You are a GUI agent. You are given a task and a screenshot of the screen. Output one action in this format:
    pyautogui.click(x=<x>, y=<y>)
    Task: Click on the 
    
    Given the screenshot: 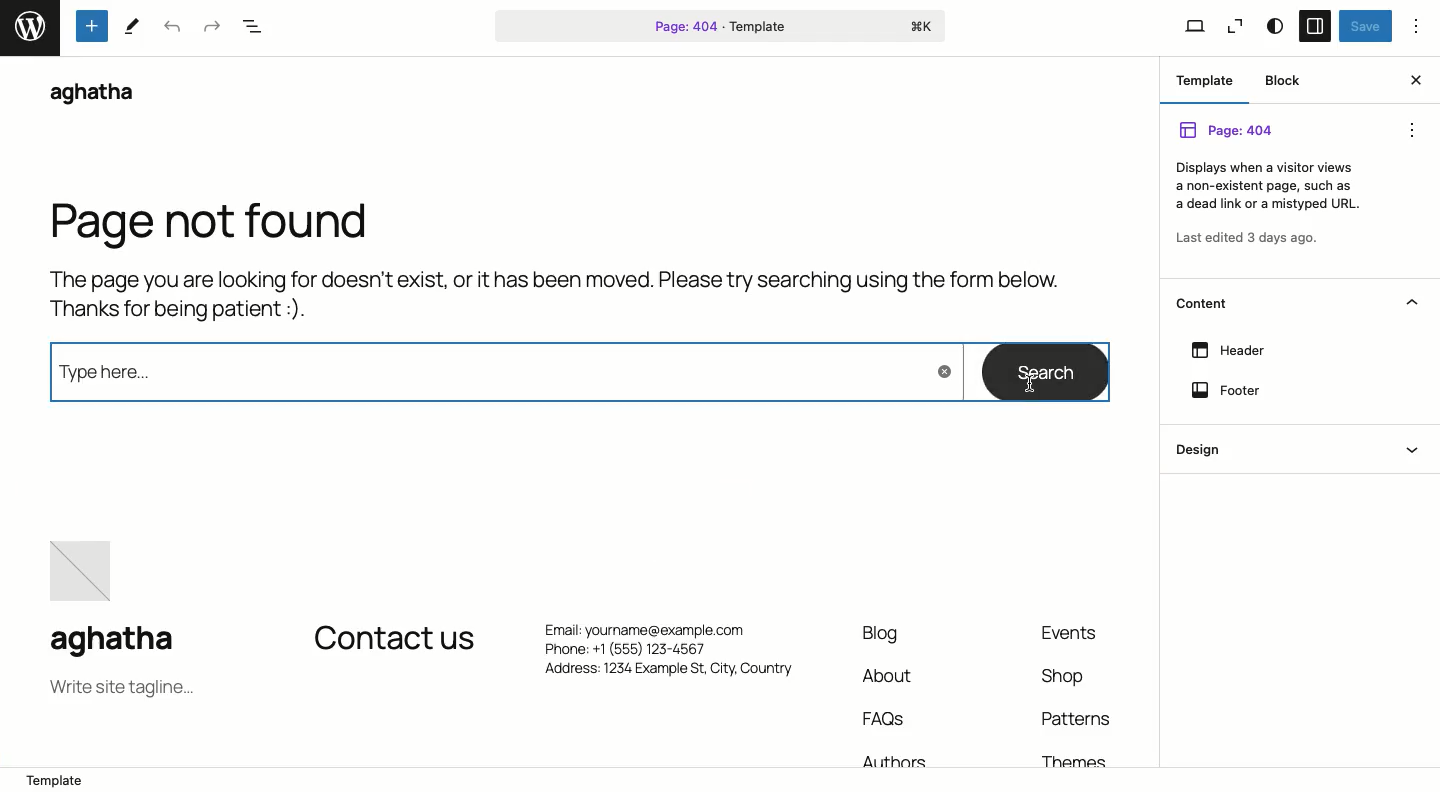 What is the action you would take?
    pyautogui.click(x=550, y=298)
    